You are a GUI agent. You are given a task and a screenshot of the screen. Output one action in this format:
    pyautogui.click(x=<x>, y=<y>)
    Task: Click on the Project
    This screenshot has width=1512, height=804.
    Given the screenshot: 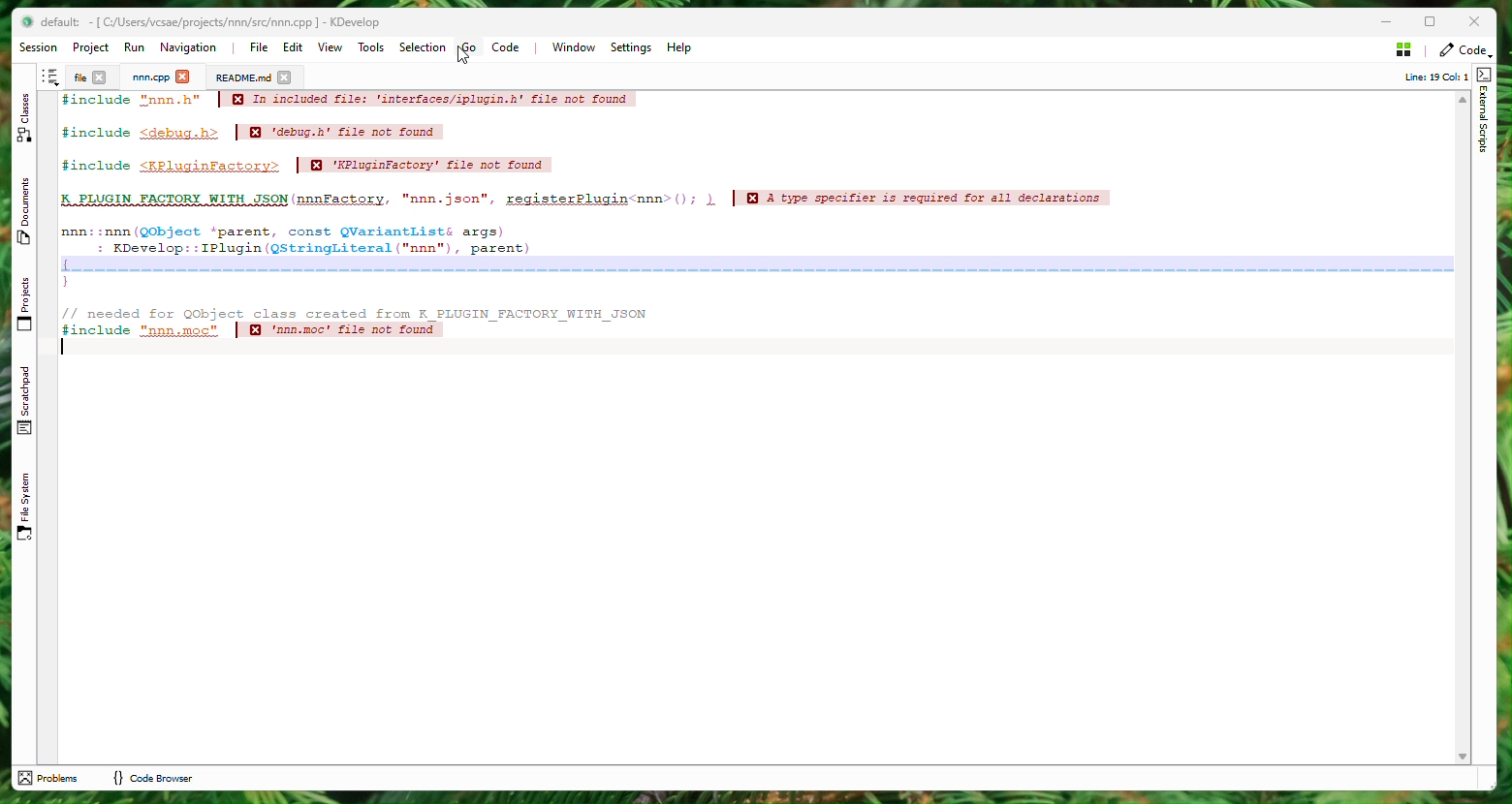 What is the action you would take?
    pyautogui.click(x=150, y=77)
    